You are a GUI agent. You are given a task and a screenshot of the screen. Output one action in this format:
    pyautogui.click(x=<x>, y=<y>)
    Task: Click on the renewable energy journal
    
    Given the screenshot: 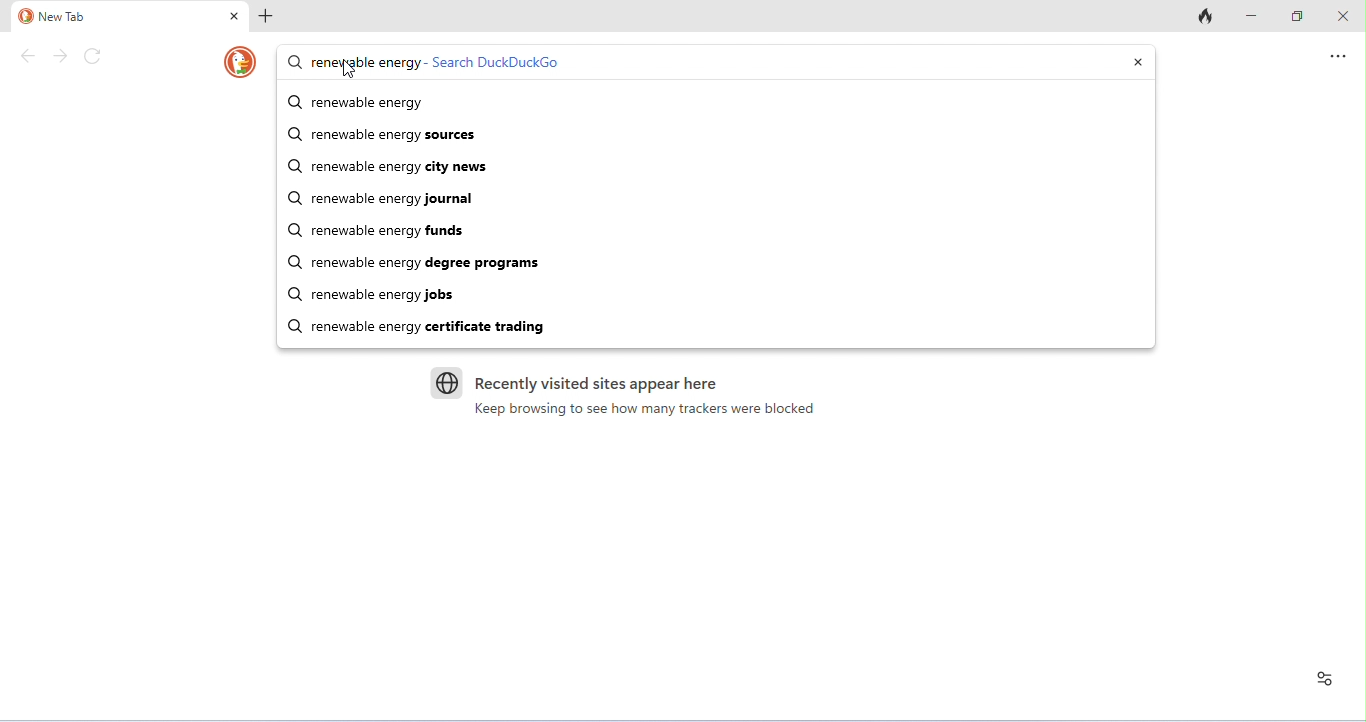 What is the action you would take?
    pyautogui.click(x=728, y=200)
    